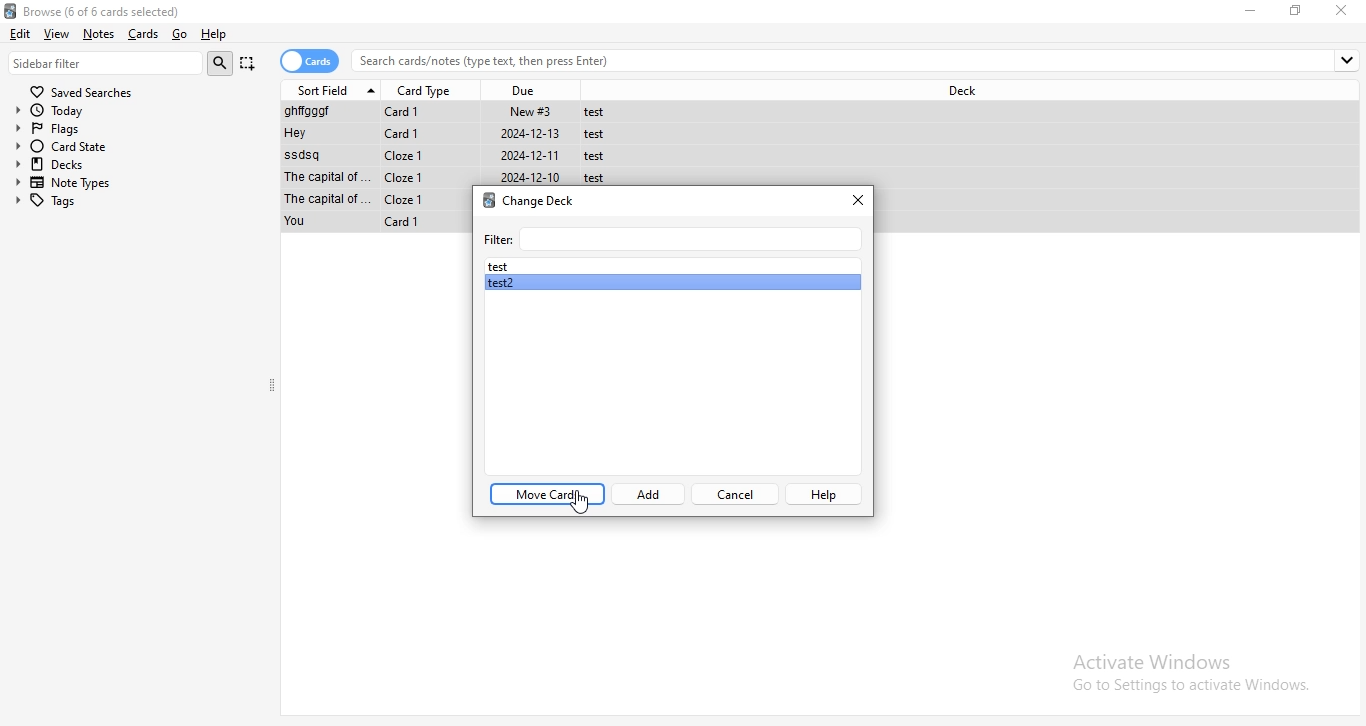  What do you see at coordinates (858, 60) in the screenshot?
I see `search bar` at bounding box center [858, 60].